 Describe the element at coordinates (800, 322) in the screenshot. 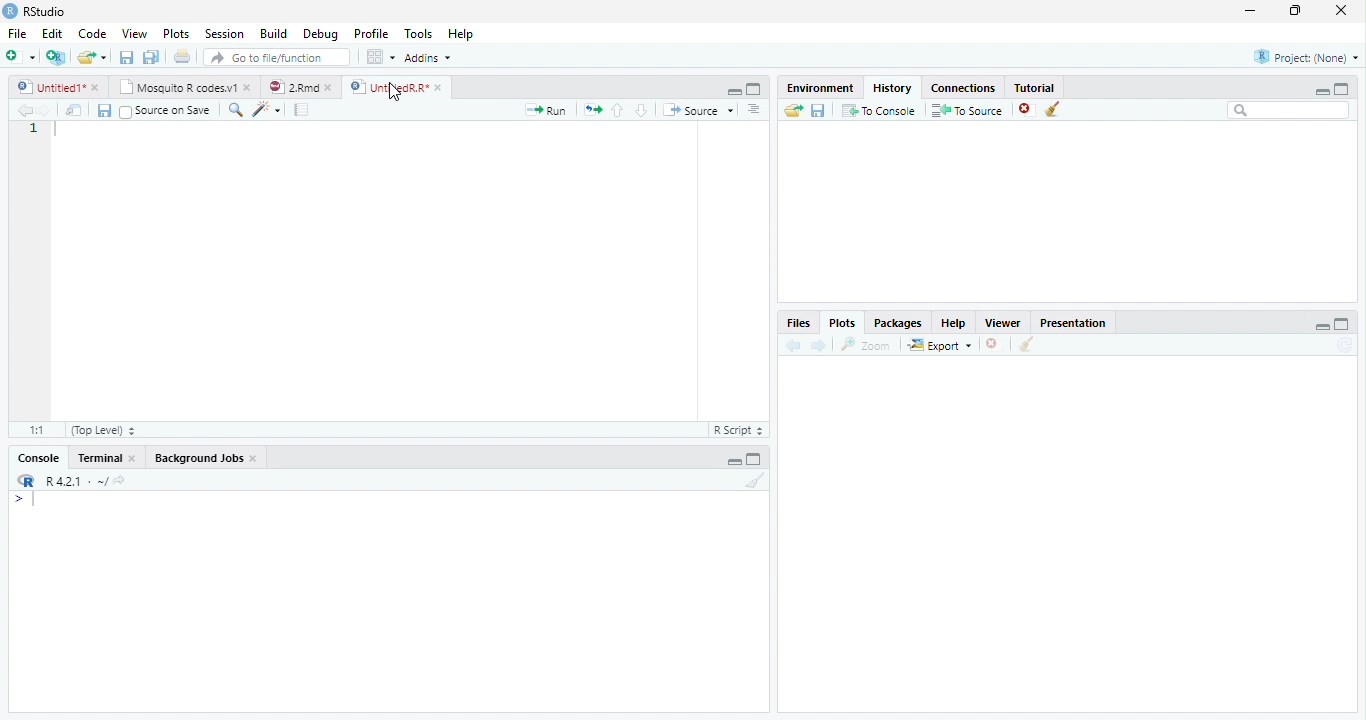

I see `Files` at that location.